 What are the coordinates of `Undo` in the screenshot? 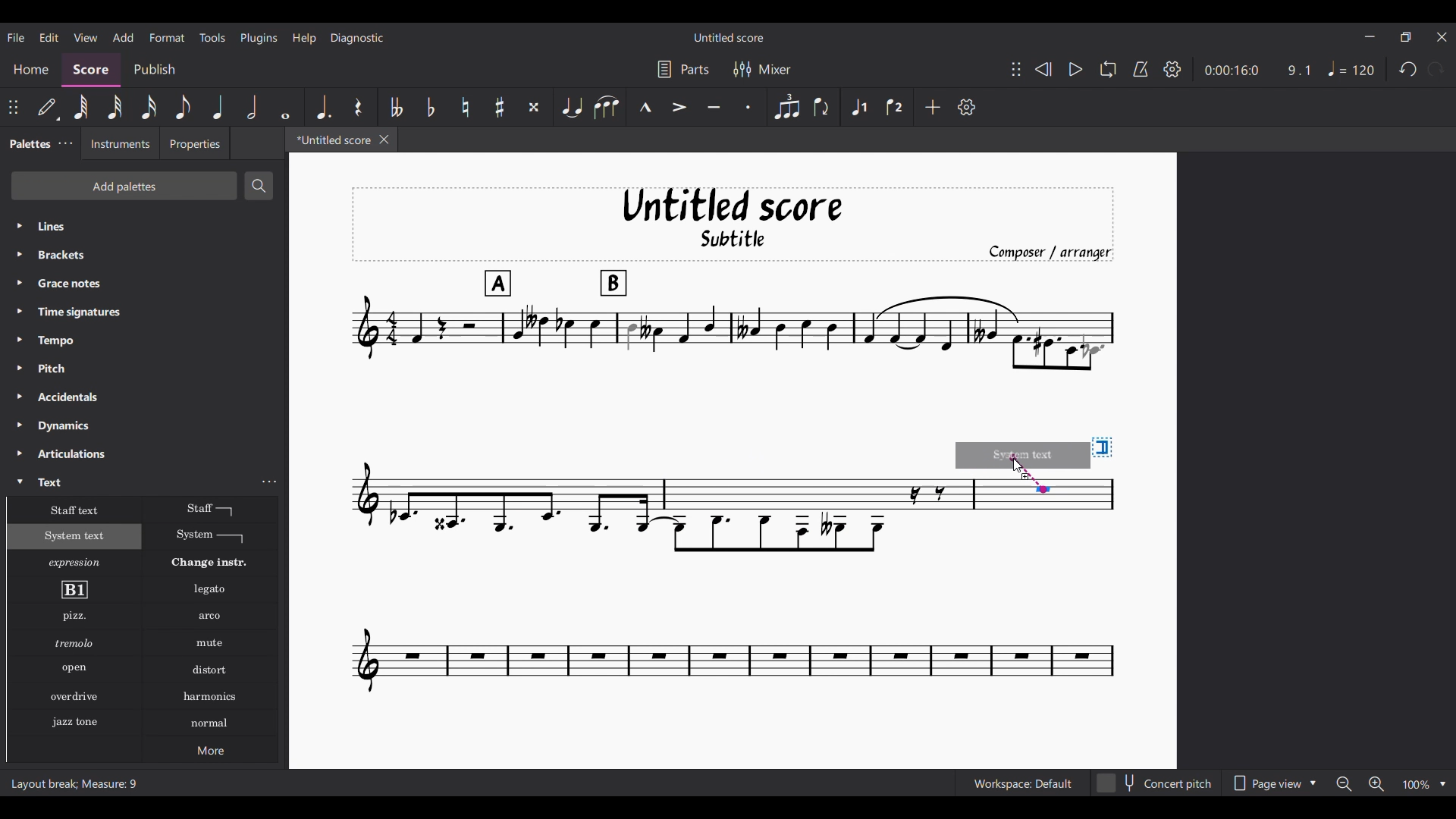 It's located at (1409, 68).